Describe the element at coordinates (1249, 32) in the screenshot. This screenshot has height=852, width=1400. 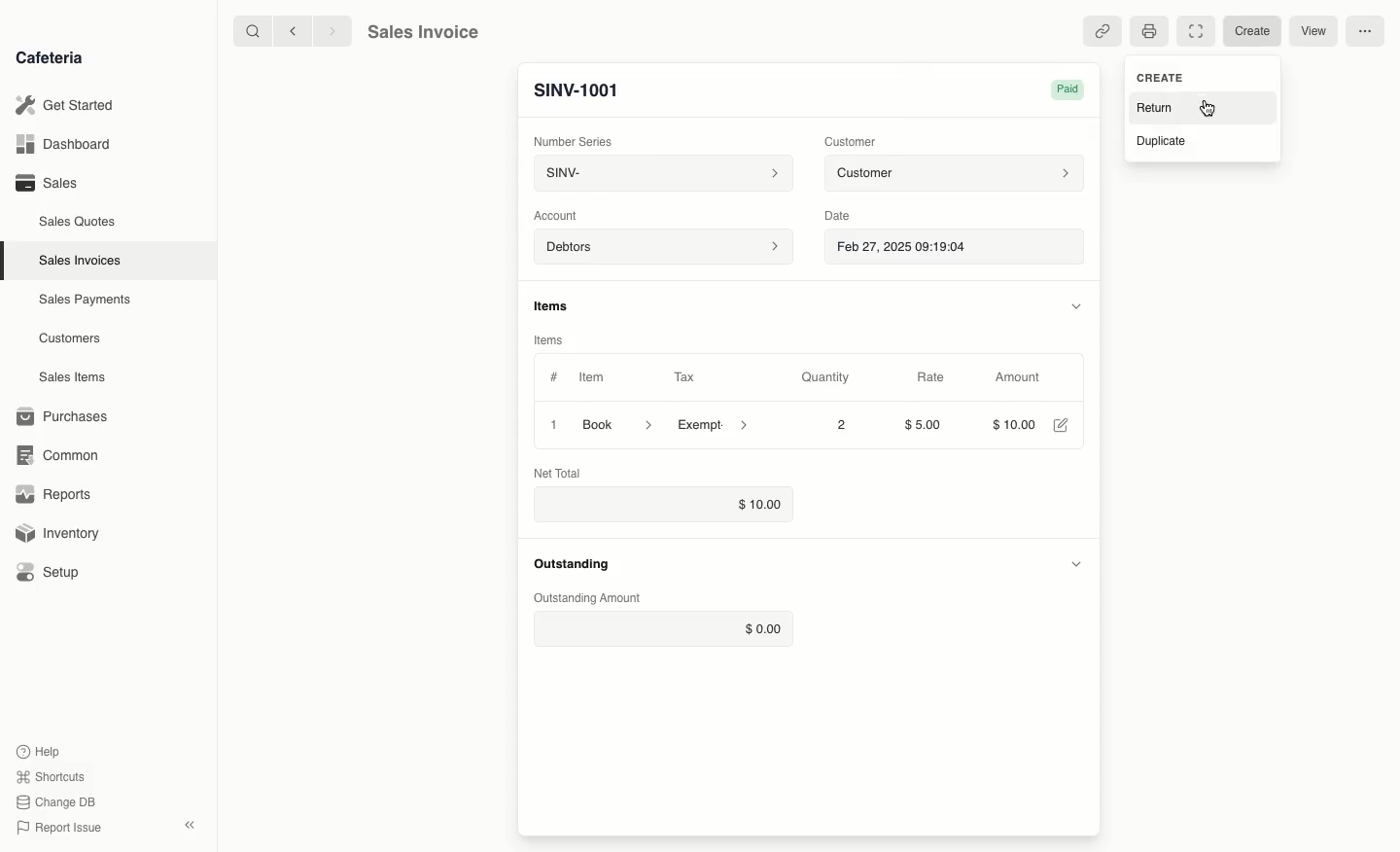
I see `create` at that location.